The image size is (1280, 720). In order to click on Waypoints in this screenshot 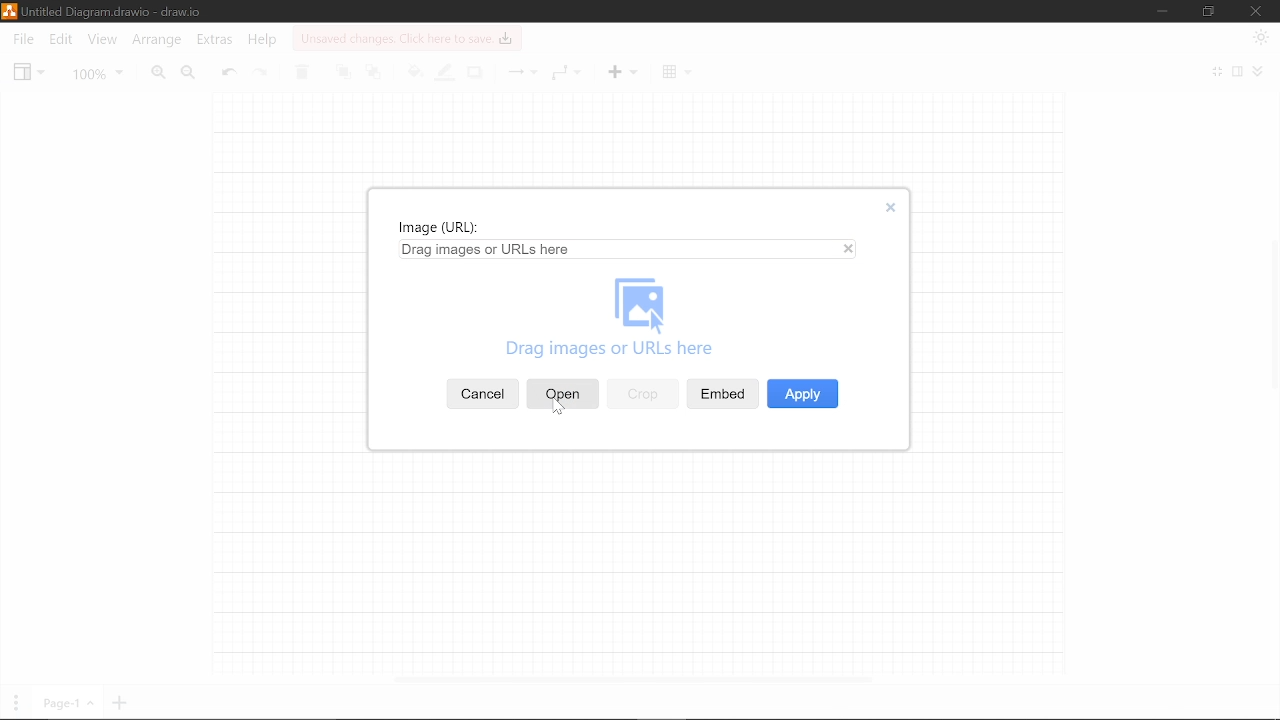, I will do `click(565, 74)`.